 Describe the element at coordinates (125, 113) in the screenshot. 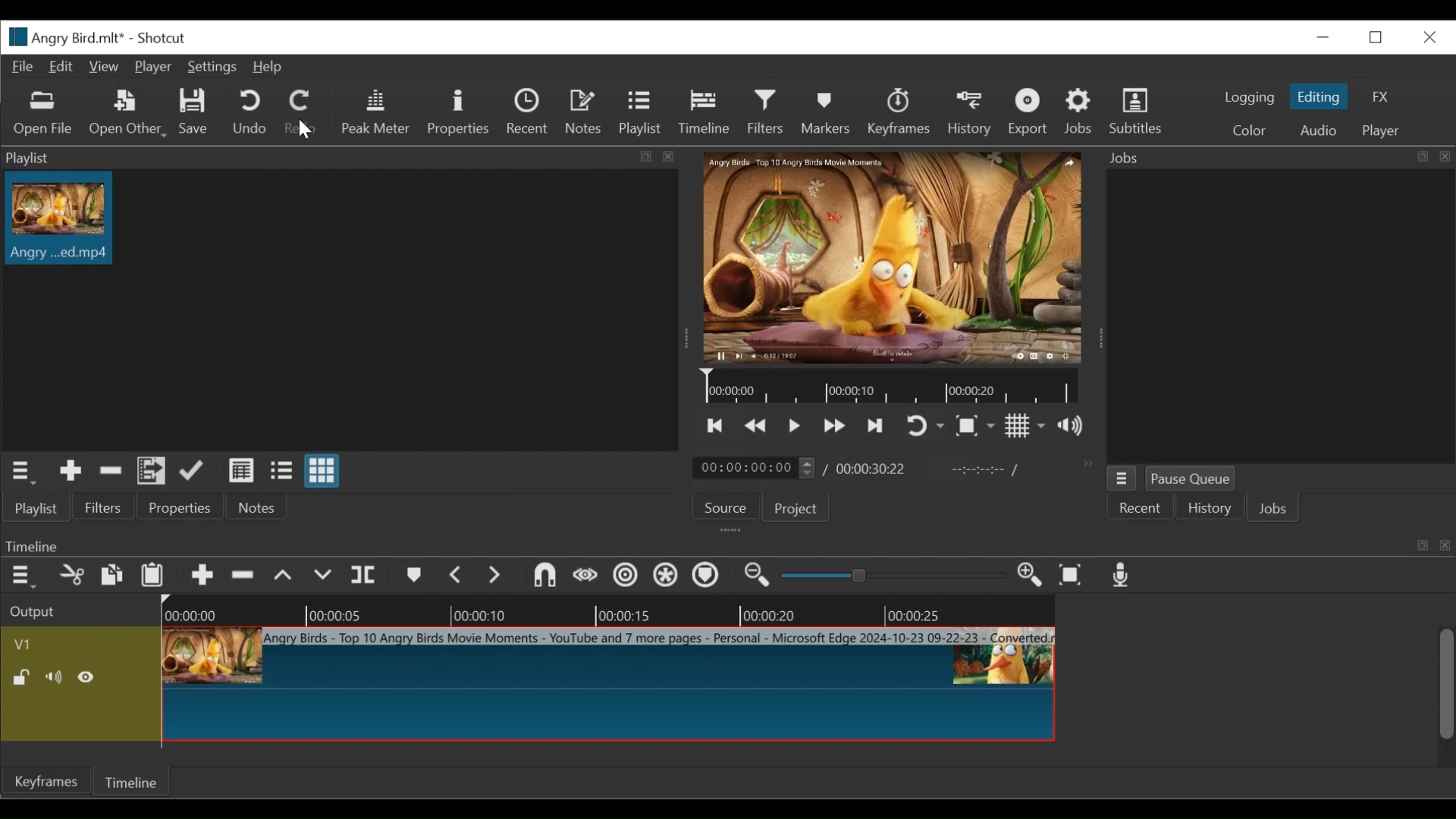

I see `Open Other File` at that location.